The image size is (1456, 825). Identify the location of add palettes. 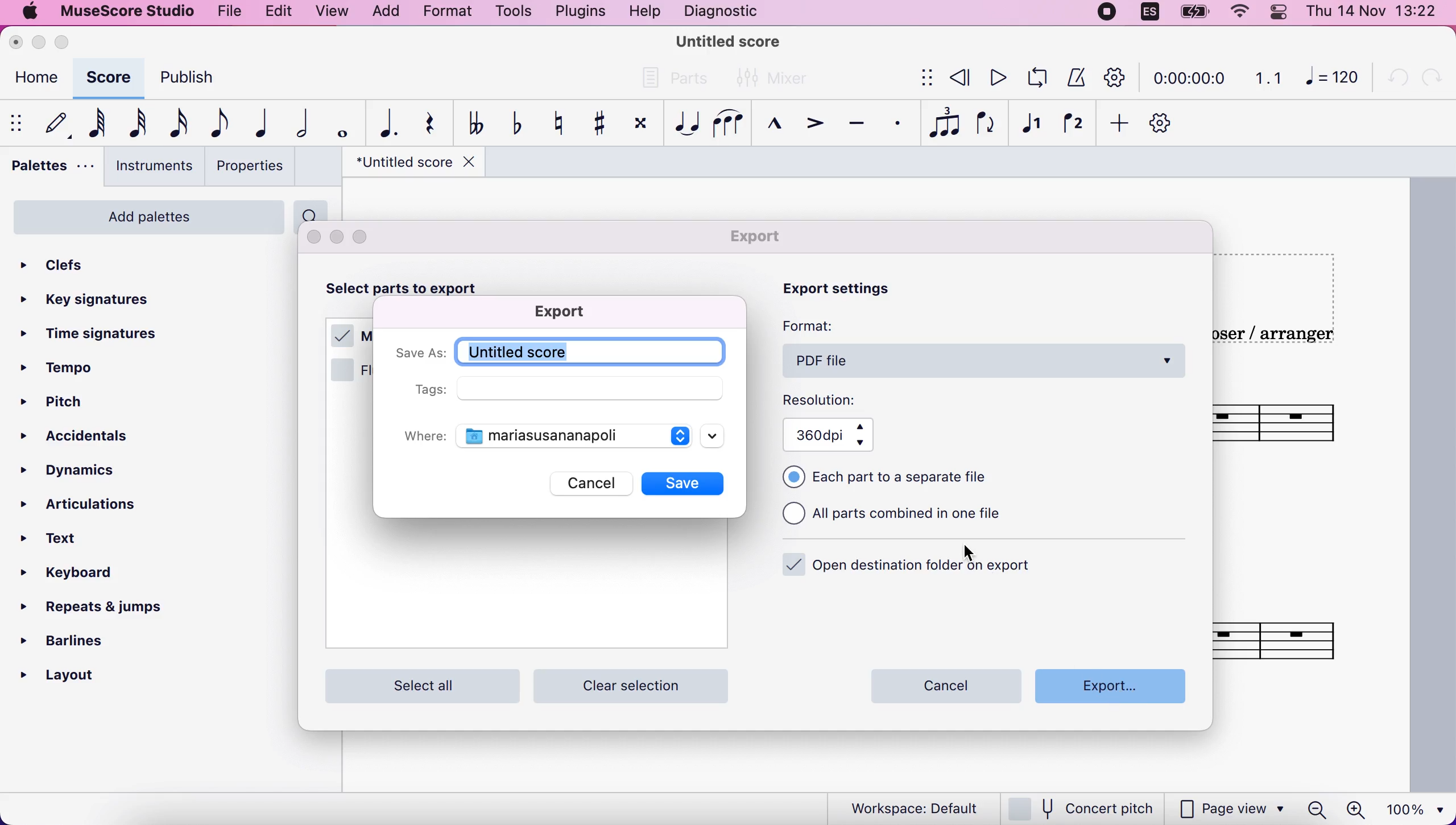
(148, 216).